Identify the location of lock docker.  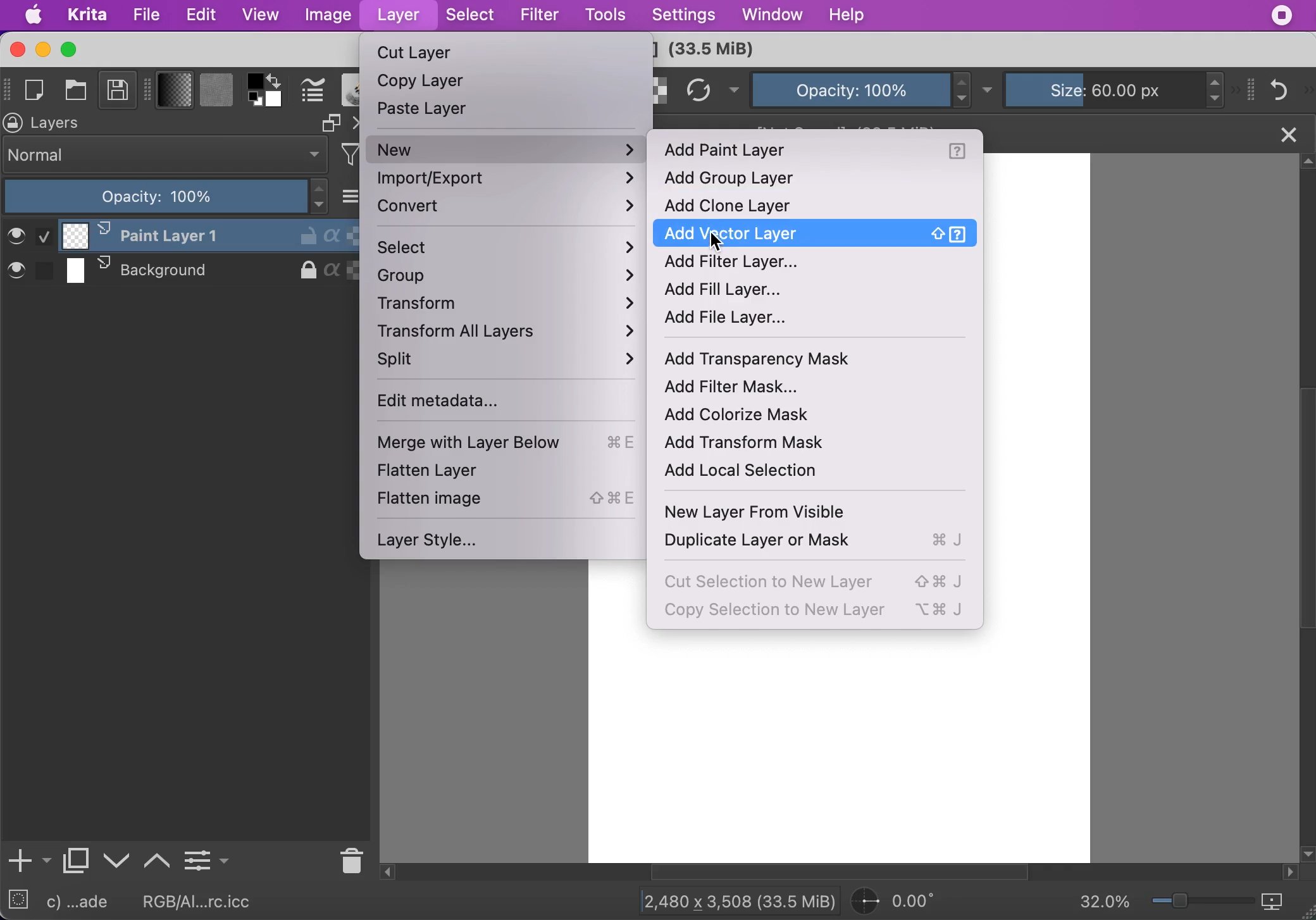
(14, 123).